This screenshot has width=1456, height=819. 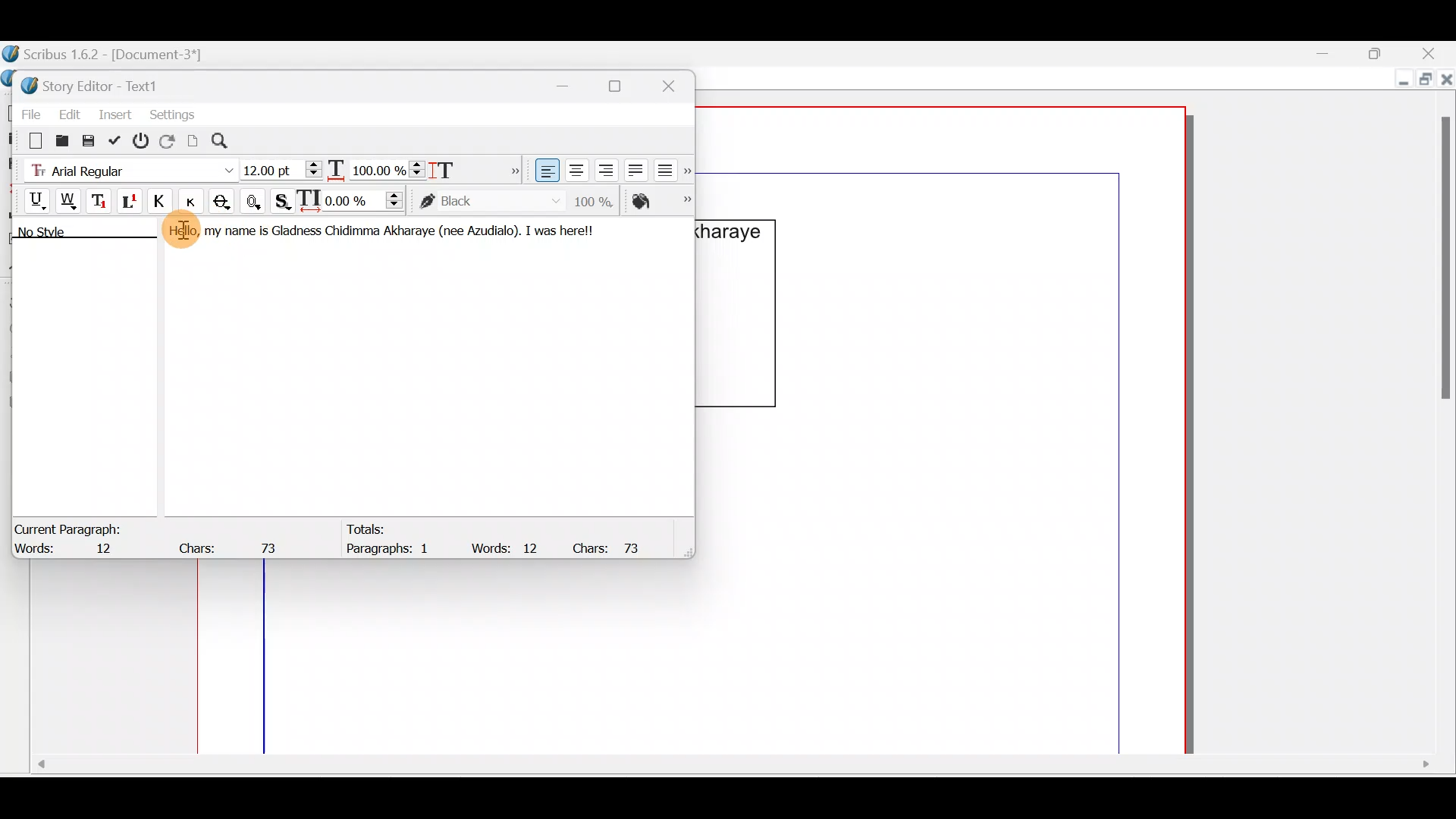 I want to click on I was herel!, so click(x=563, y=229).